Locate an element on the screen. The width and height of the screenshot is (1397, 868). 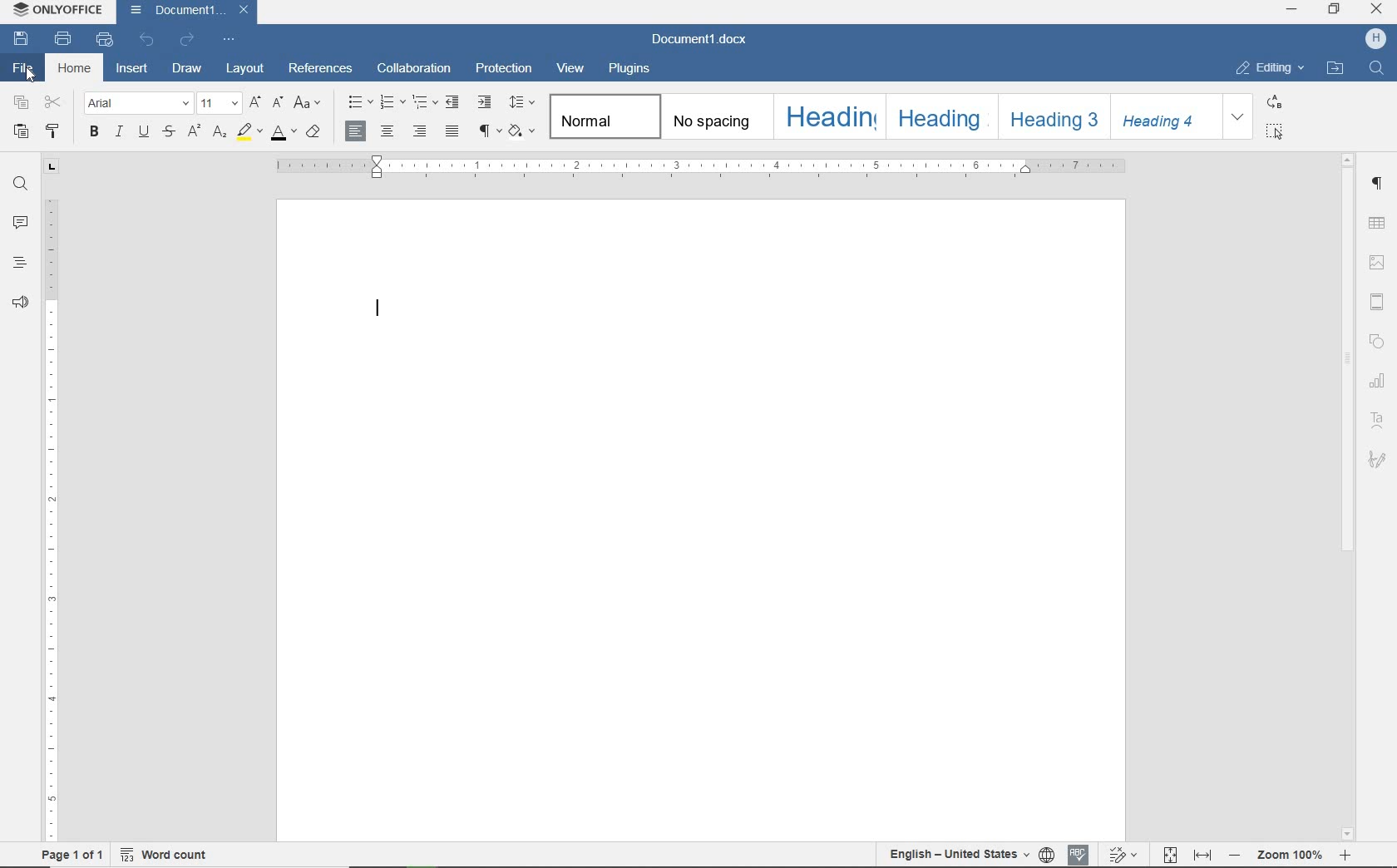
change case is located at coordinates (309, 103).